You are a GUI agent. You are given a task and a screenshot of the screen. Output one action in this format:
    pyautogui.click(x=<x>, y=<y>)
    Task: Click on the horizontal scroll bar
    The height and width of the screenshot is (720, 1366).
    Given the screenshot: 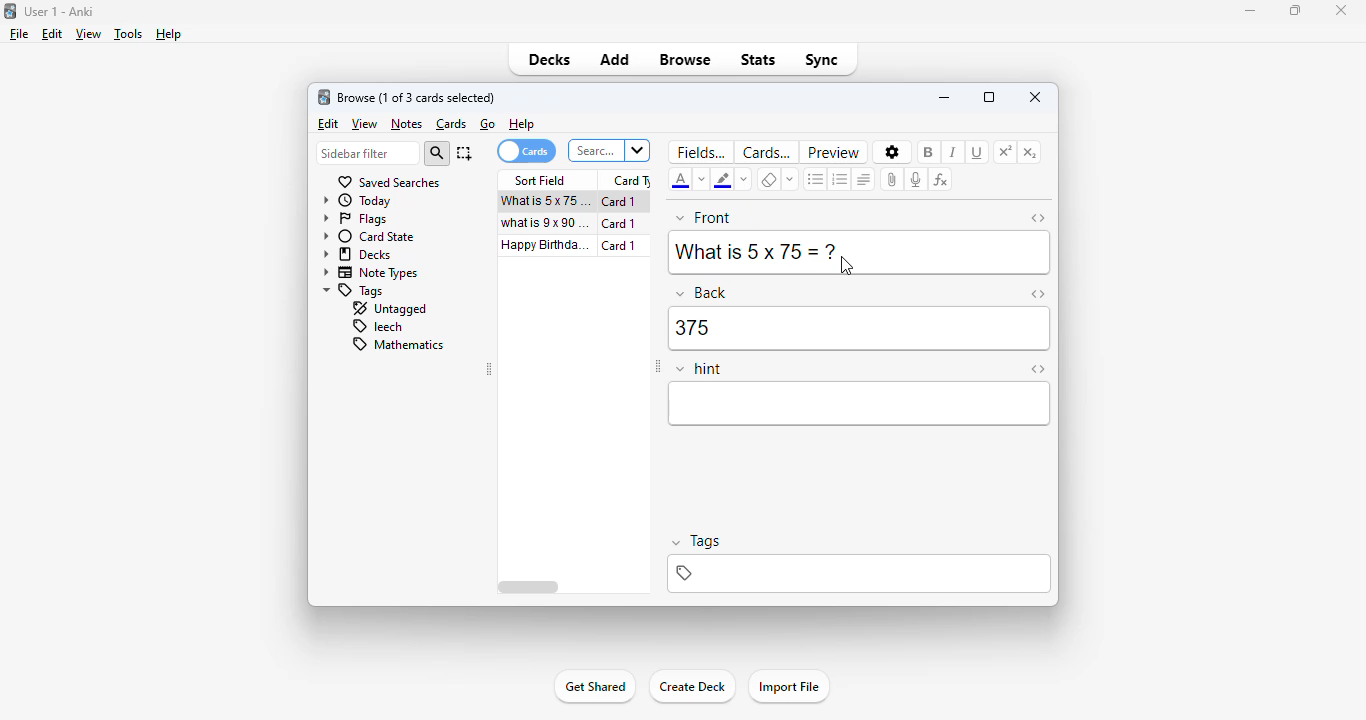 What is the action you would take?
    pyautogui.click(x=529, y=587)
    